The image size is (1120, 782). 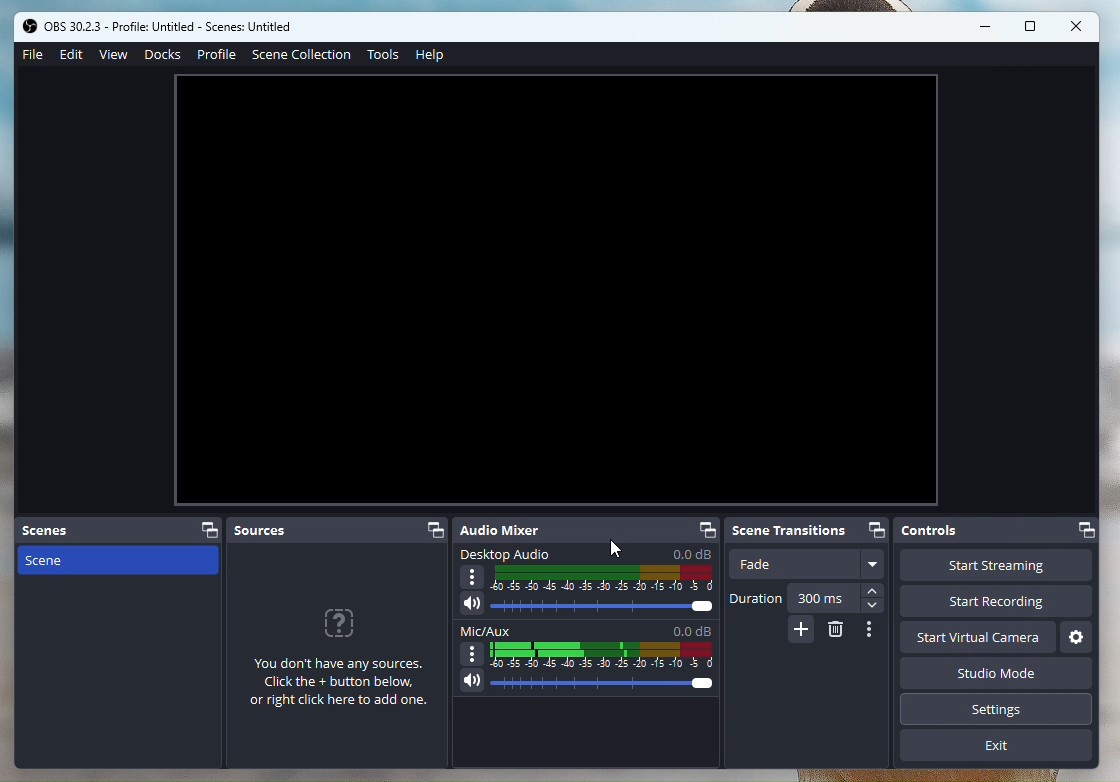 I want to click on cursor, so click(x=609, y=549).